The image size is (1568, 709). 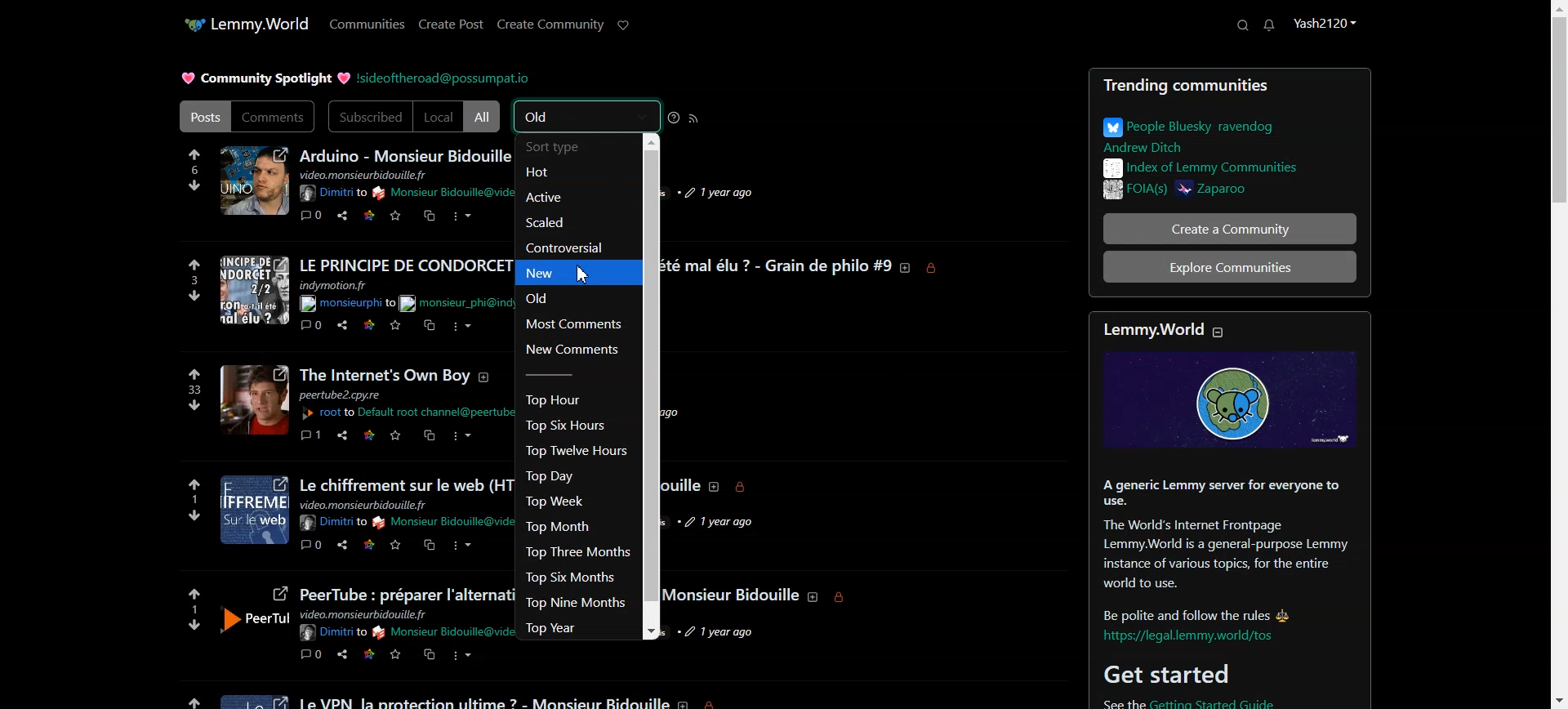 What do you see at coordinates (742, 488) in the screenshot?
I see `` at bounding box center [742, 488].